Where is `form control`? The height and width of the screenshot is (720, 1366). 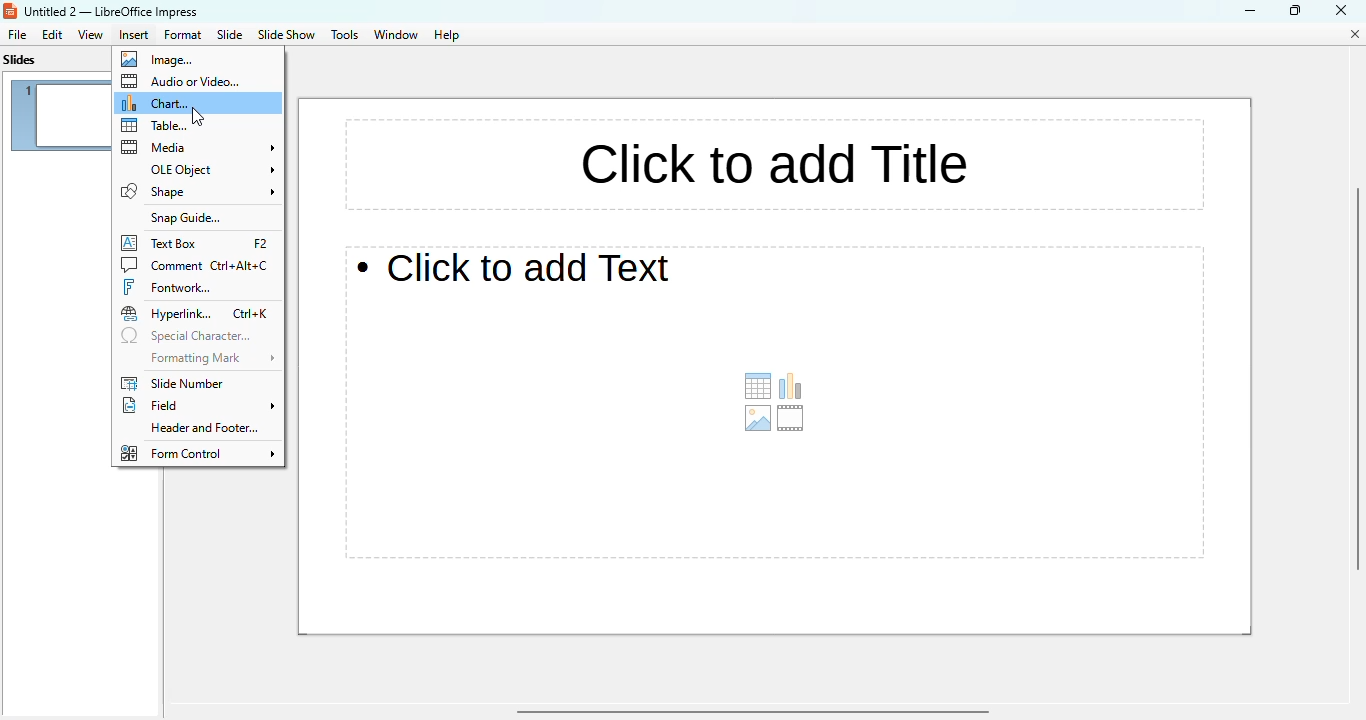
form control is located at coordinates (198, 453).